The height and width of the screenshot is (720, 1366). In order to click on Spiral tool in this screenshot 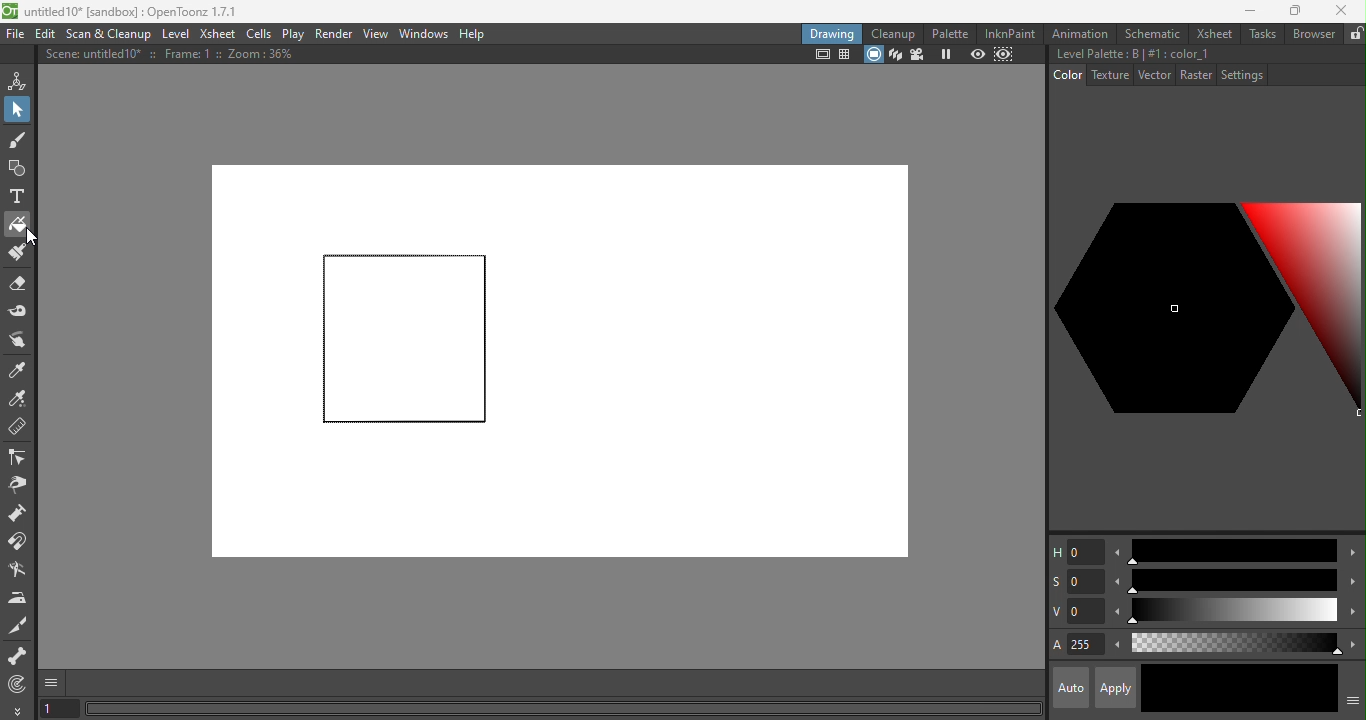, I will do `click(22, 683)`.